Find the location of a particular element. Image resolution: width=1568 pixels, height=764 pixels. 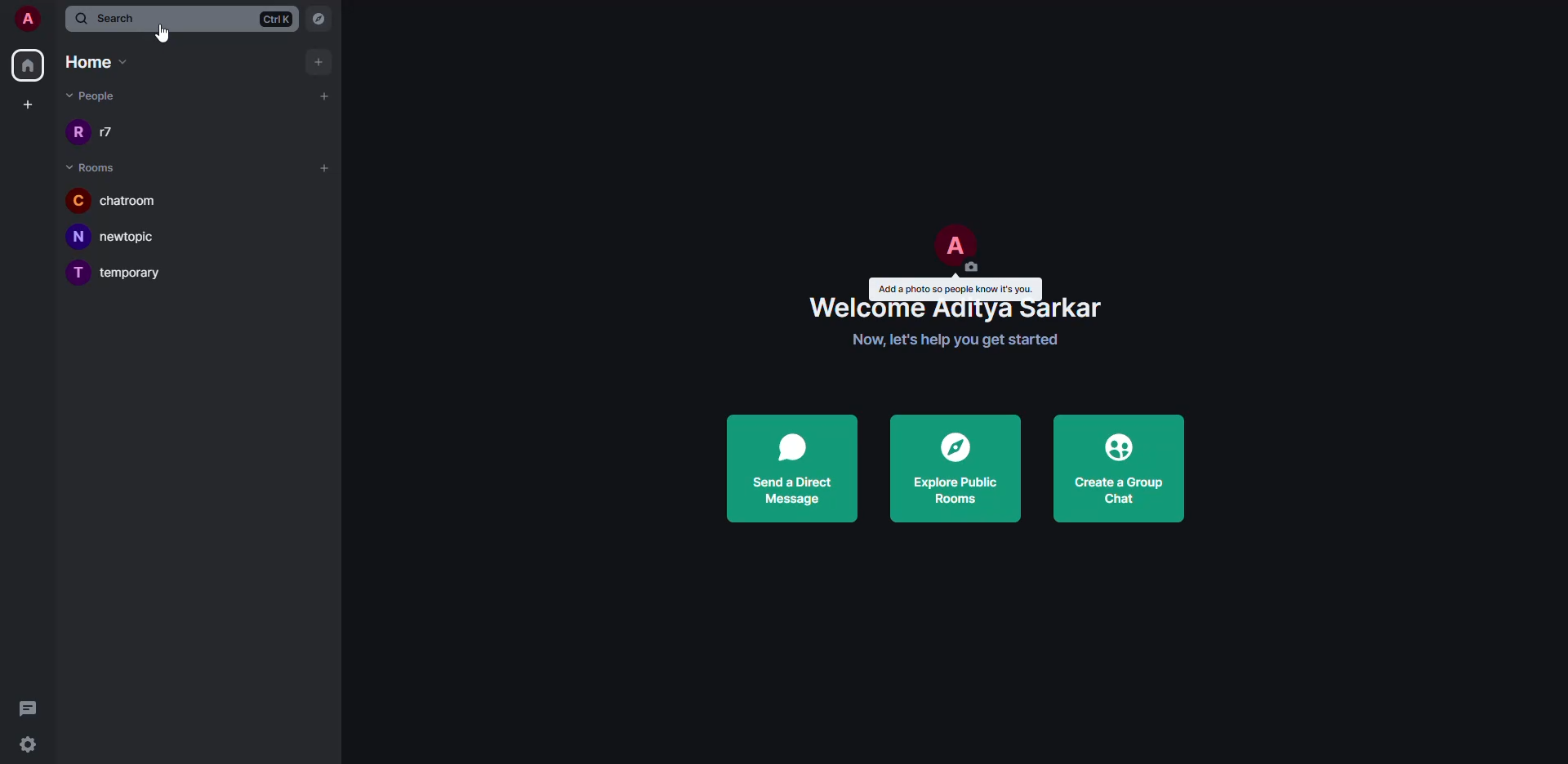

CURSOR is located at coordinates (163, 35).